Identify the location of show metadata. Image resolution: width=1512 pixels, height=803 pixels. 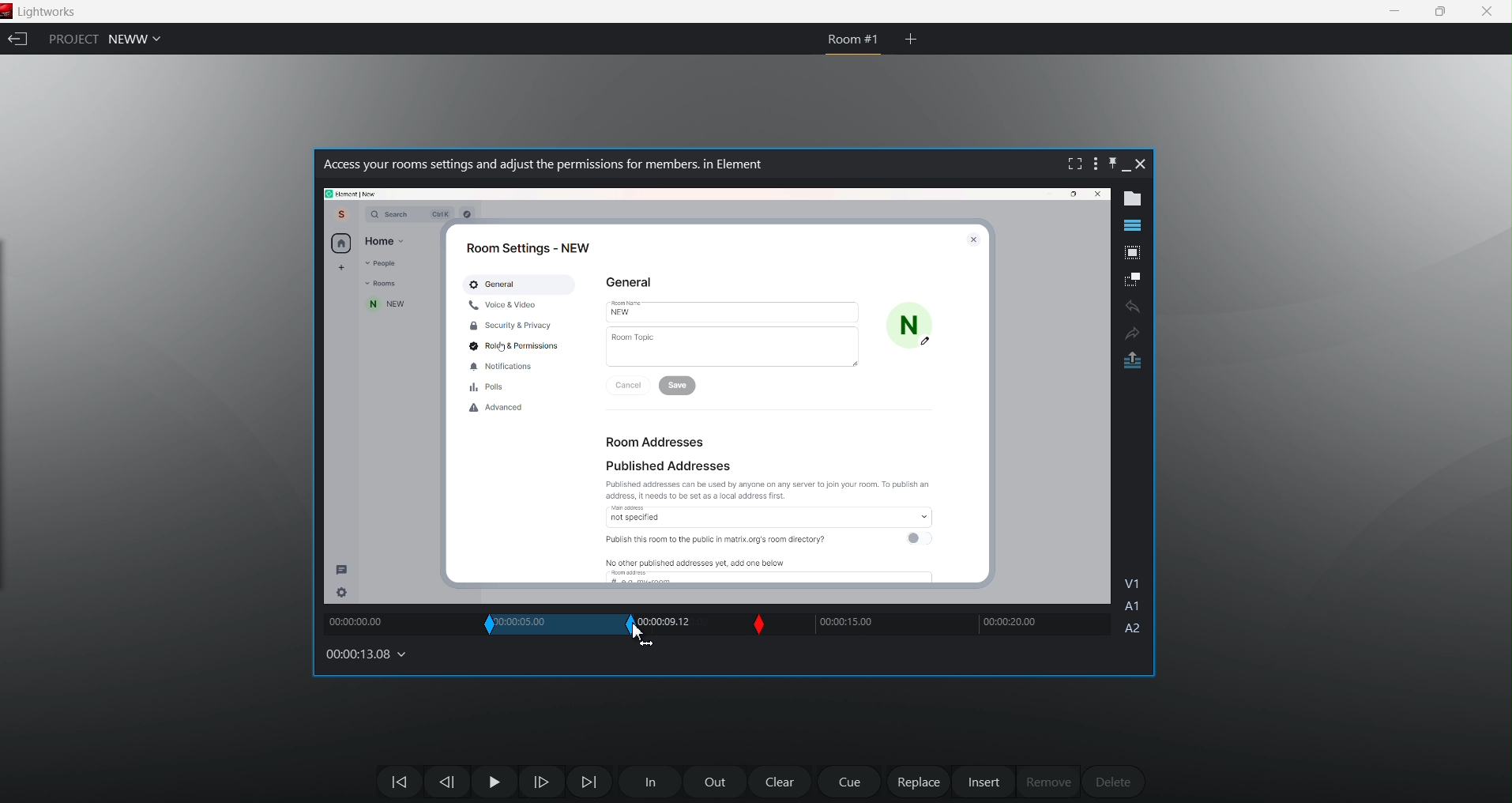
(1130, 200).